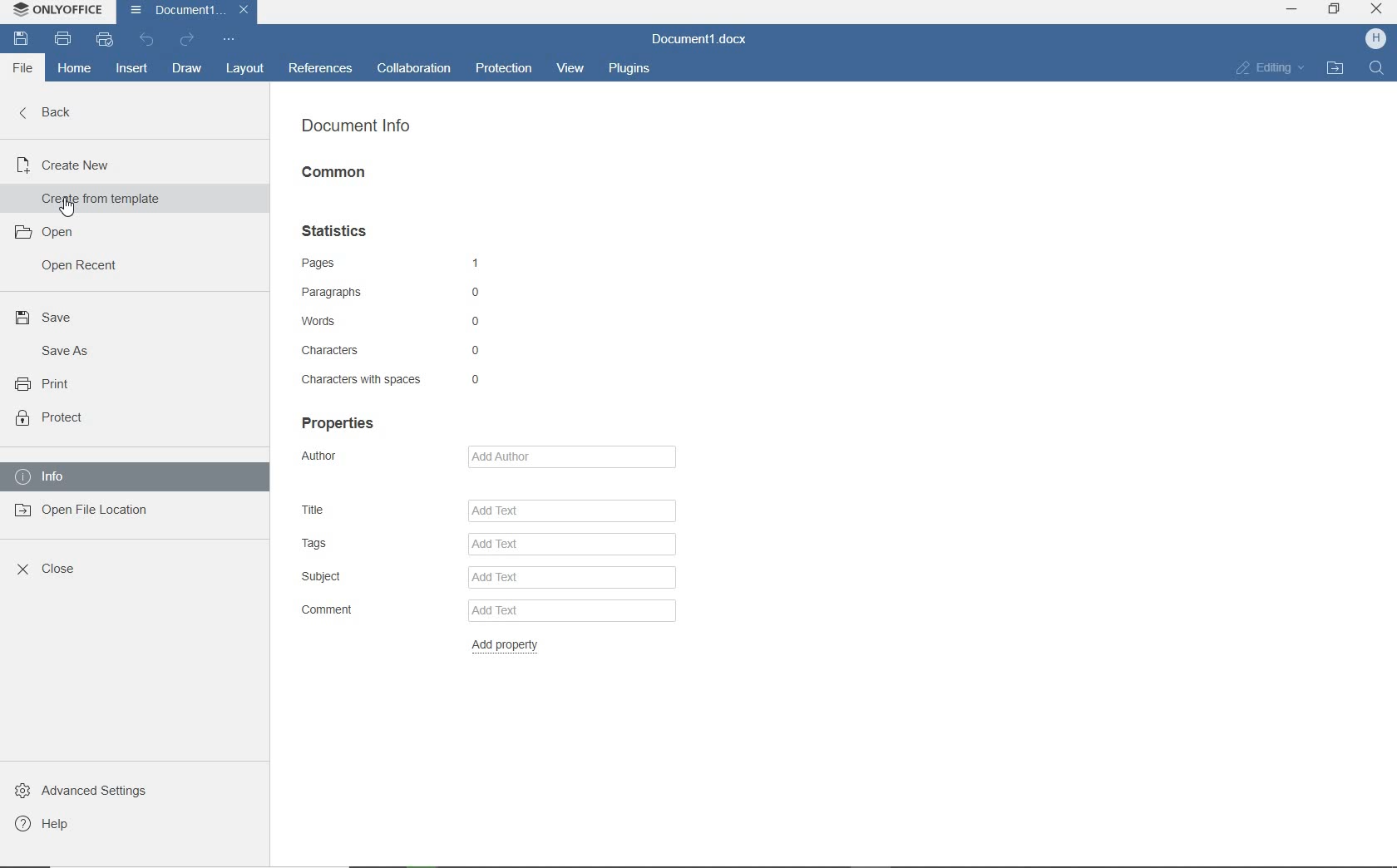 This screenshot has width=1397, height=868. Describe the element at coordinates (492, 456) in the screenshot. I see `author` at that location.